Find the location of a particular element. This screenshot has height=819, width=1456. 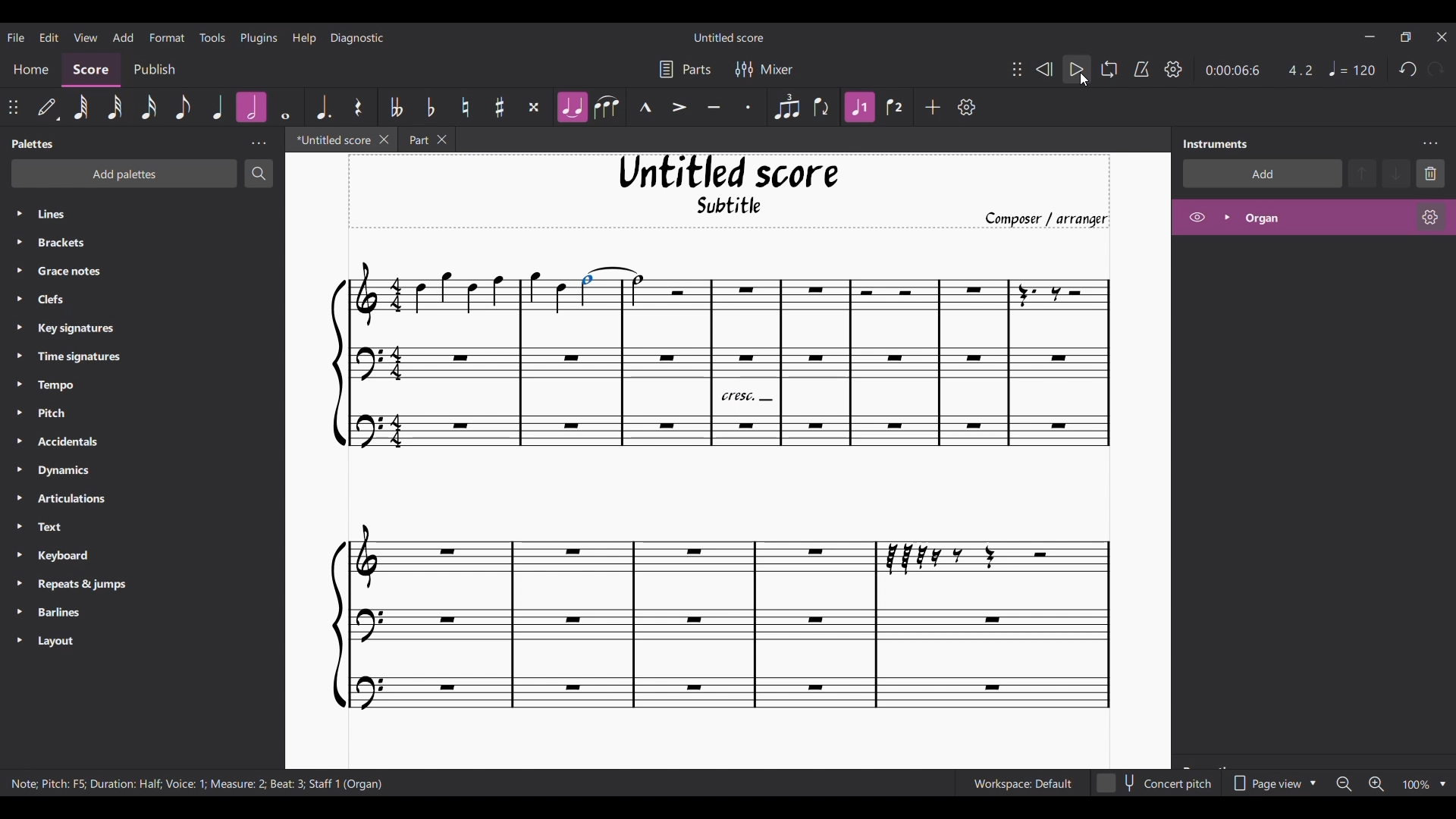

Earlier tab is located at coordinates (421, 139).